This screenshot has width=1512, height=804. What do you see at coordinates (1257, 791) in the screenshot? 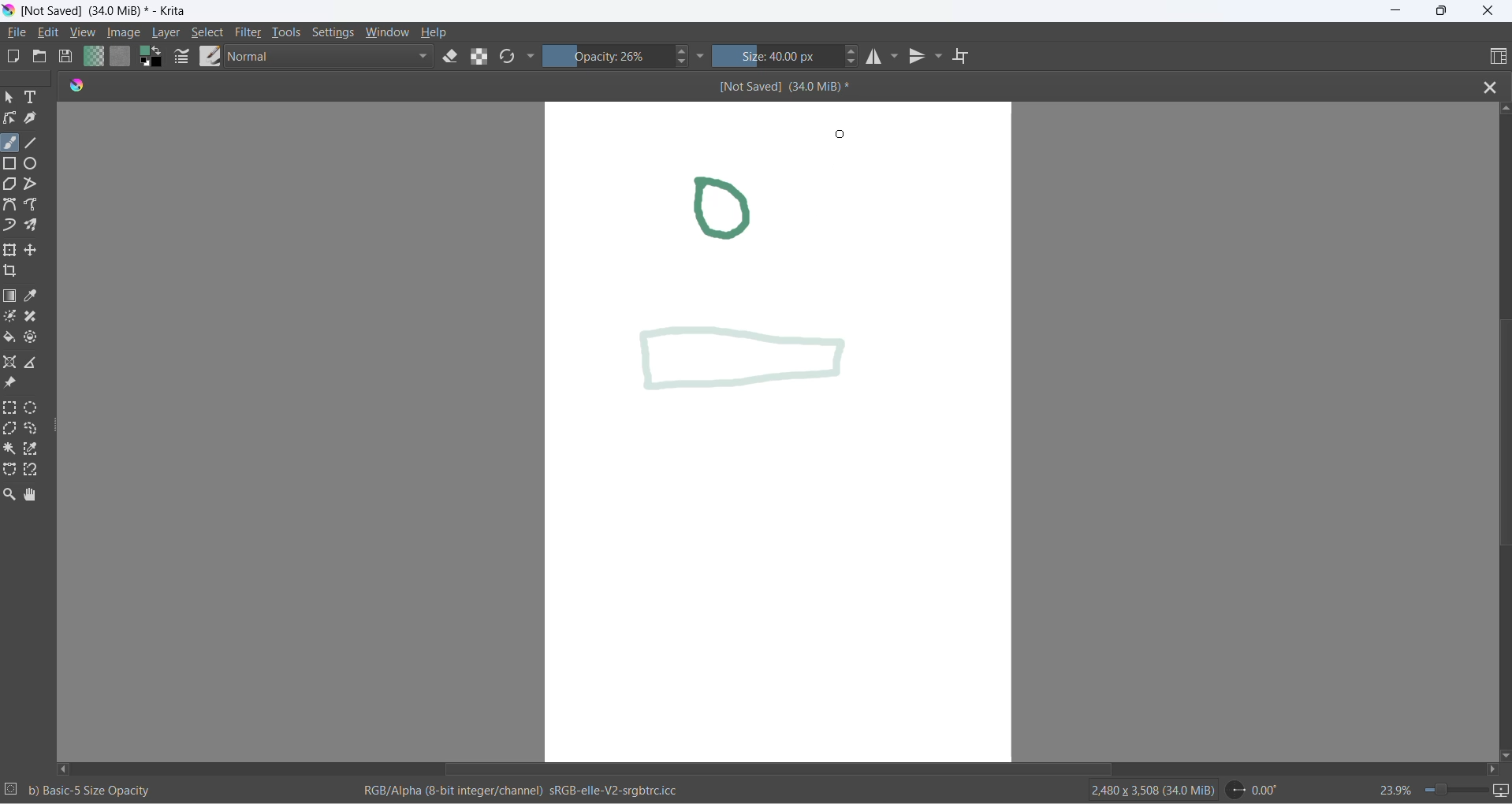
I see `0.00` at bounding box center [1257, 791].